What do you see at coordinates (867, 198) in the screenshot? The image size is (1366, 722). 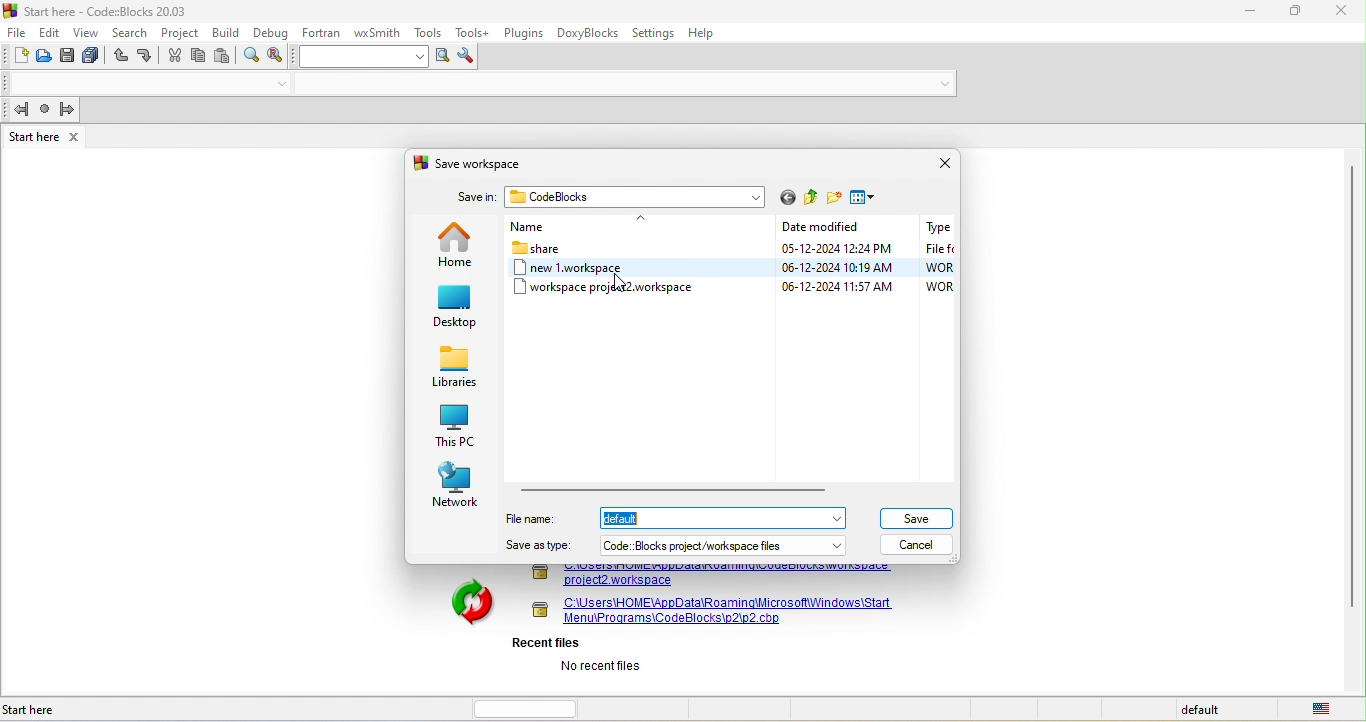 I see `view menu` at bounding box center [867, 198].